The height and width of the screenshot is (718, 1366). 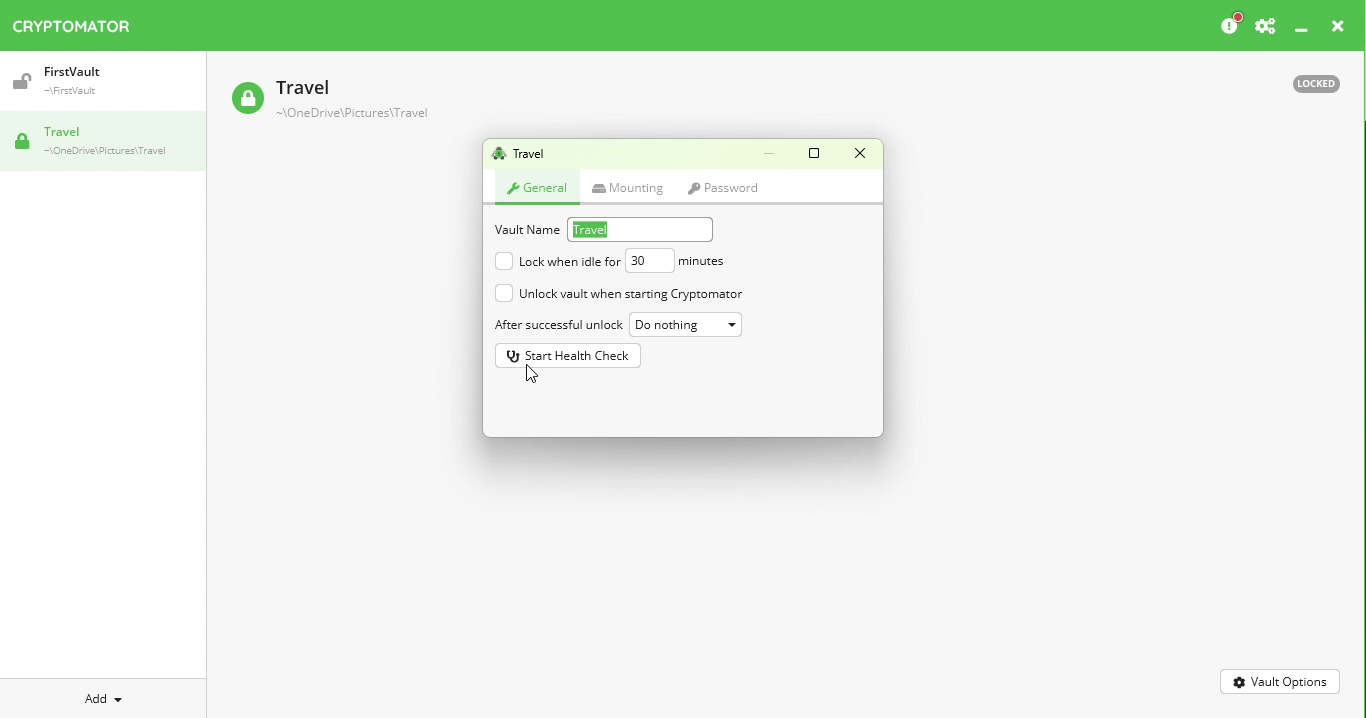 What do you see at coordinates (638, 294) in the screenshot?
I see `Unlock vault when starting cryptomator` at bounding box center [638, 294].